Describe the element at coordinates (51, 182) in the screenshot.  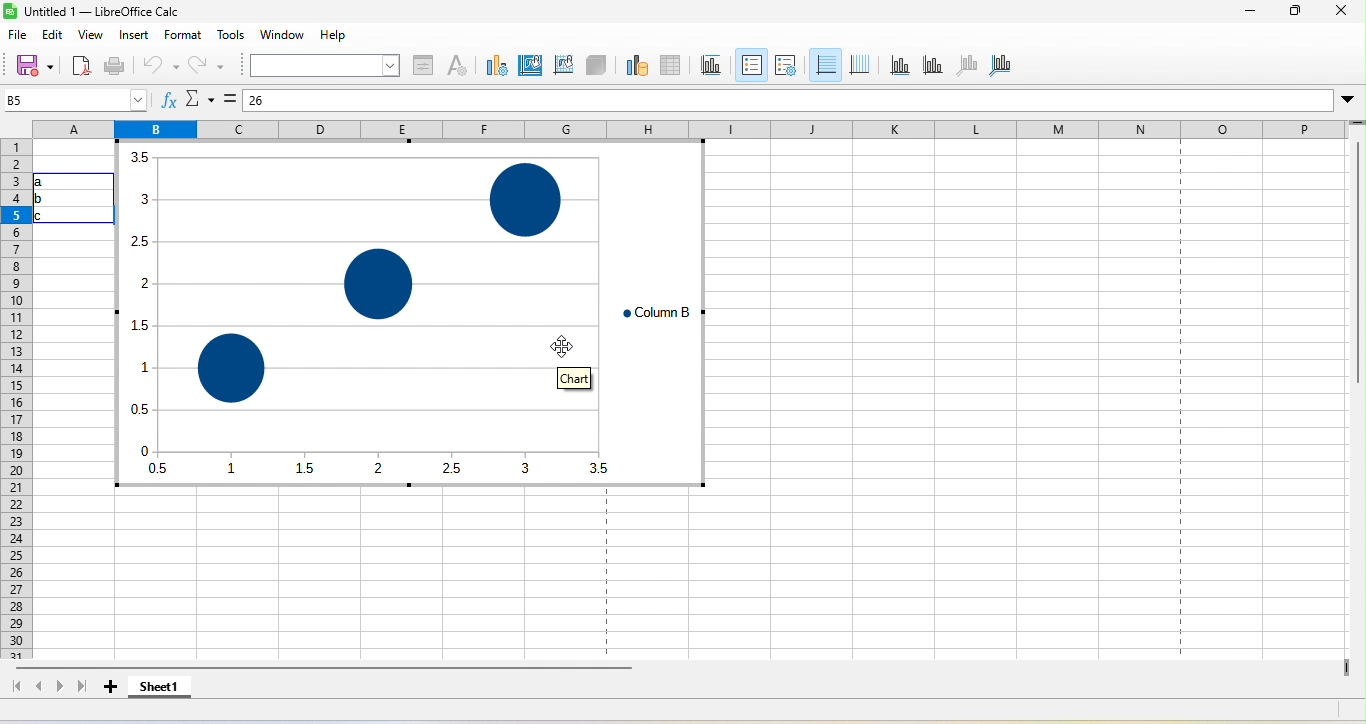
I see `a` at that location.